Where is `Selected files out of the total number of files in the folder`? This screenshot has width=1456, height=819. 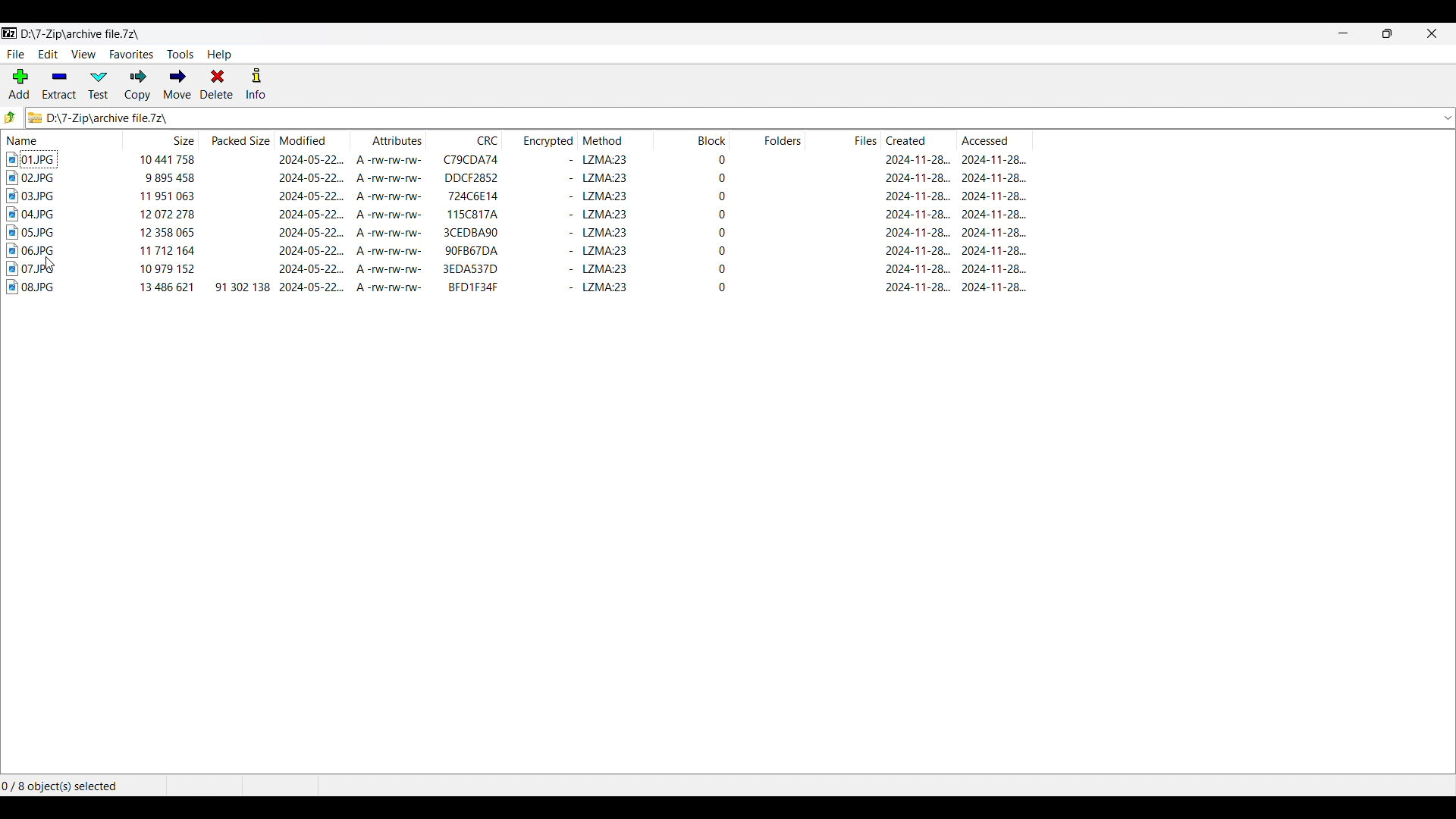
Selected files out of the total number of files in the folder is located at coordinates (65, 786).